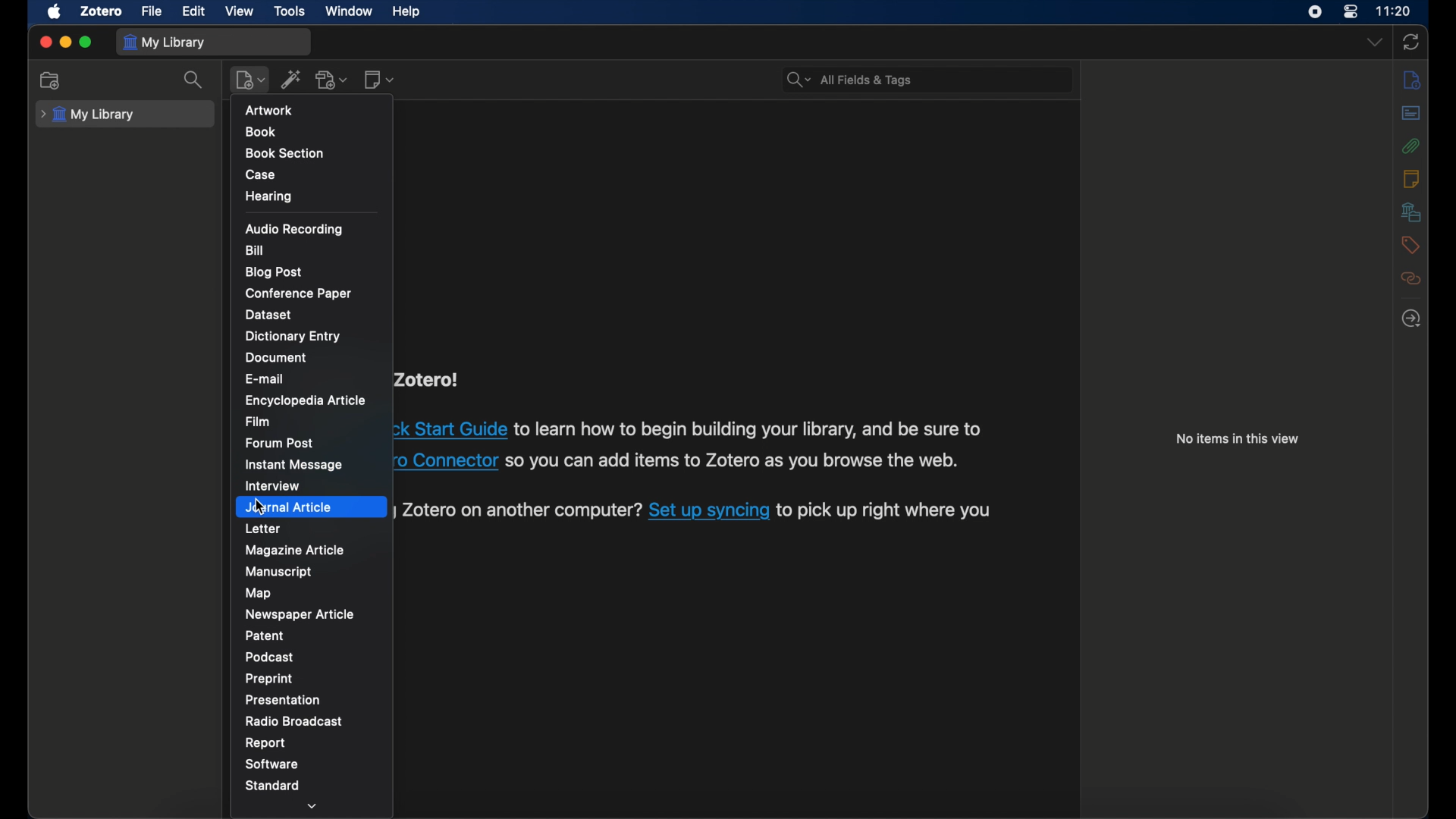  Describe the element at coordinates (1238, 440) in the screenshot. I see `no items in this view` at that location.